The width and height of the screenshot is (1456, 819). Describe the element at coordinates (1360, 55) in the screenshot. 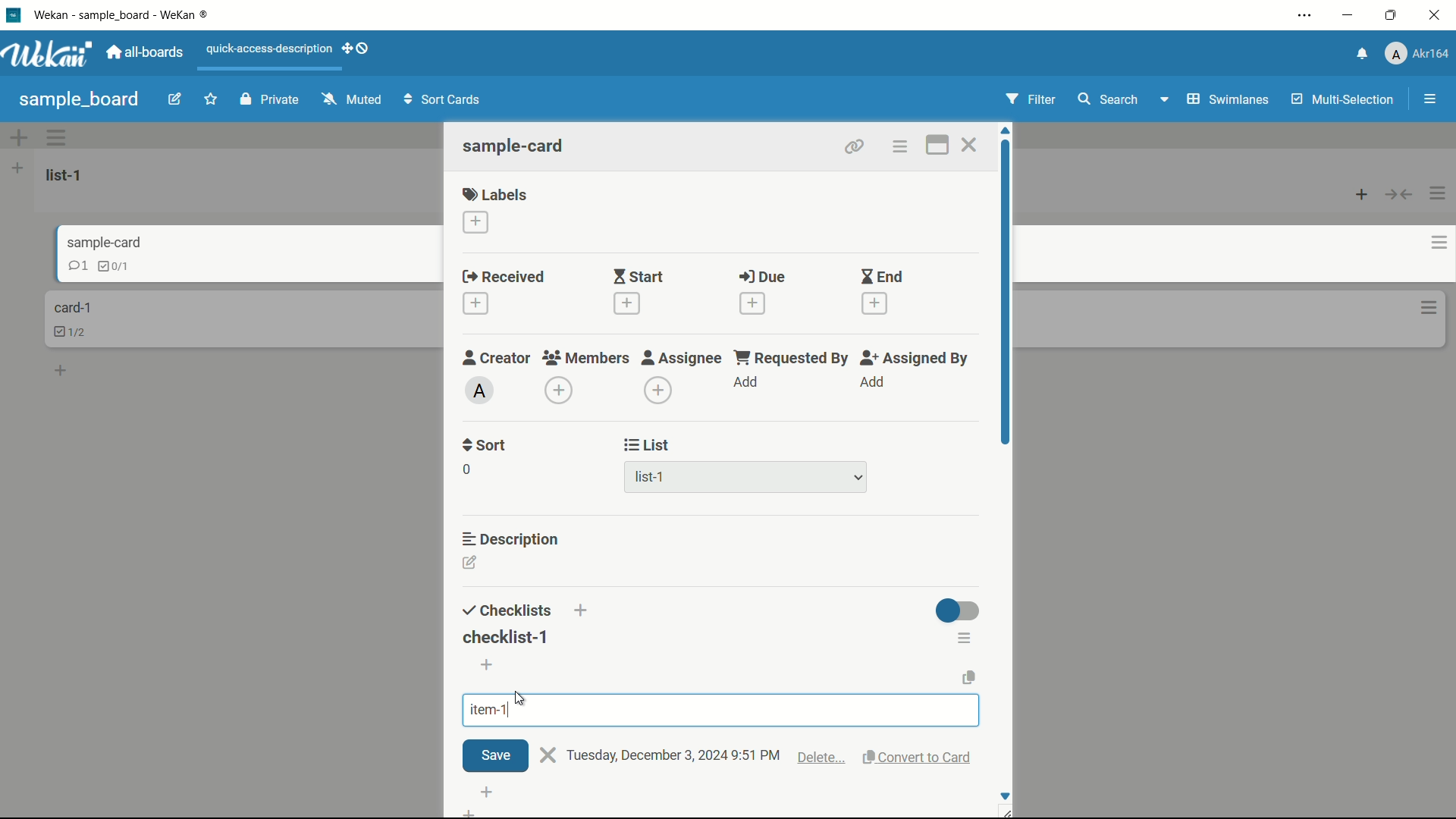

I see `notifications` at that location.